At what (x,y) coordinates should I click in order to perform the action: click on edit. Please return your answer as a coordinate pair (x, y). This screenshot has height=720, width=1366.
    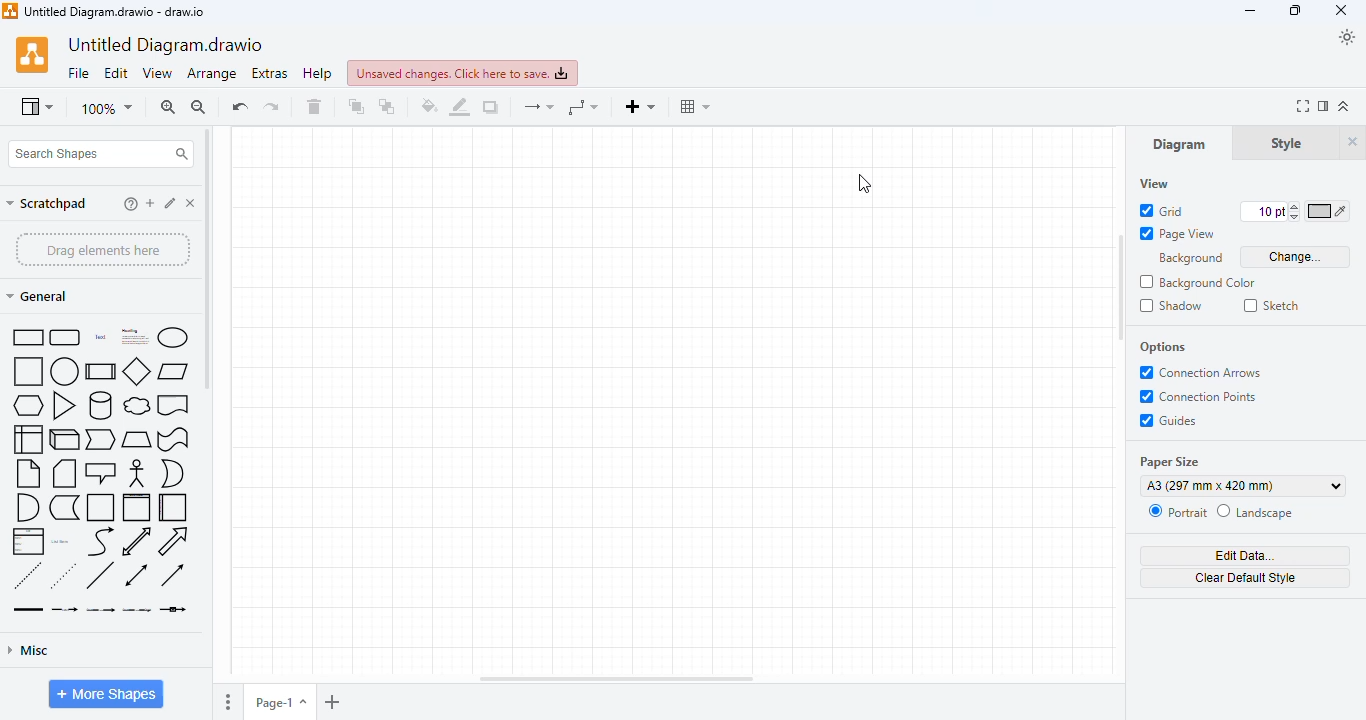
    Looking at the image, I should click on (116, 73).